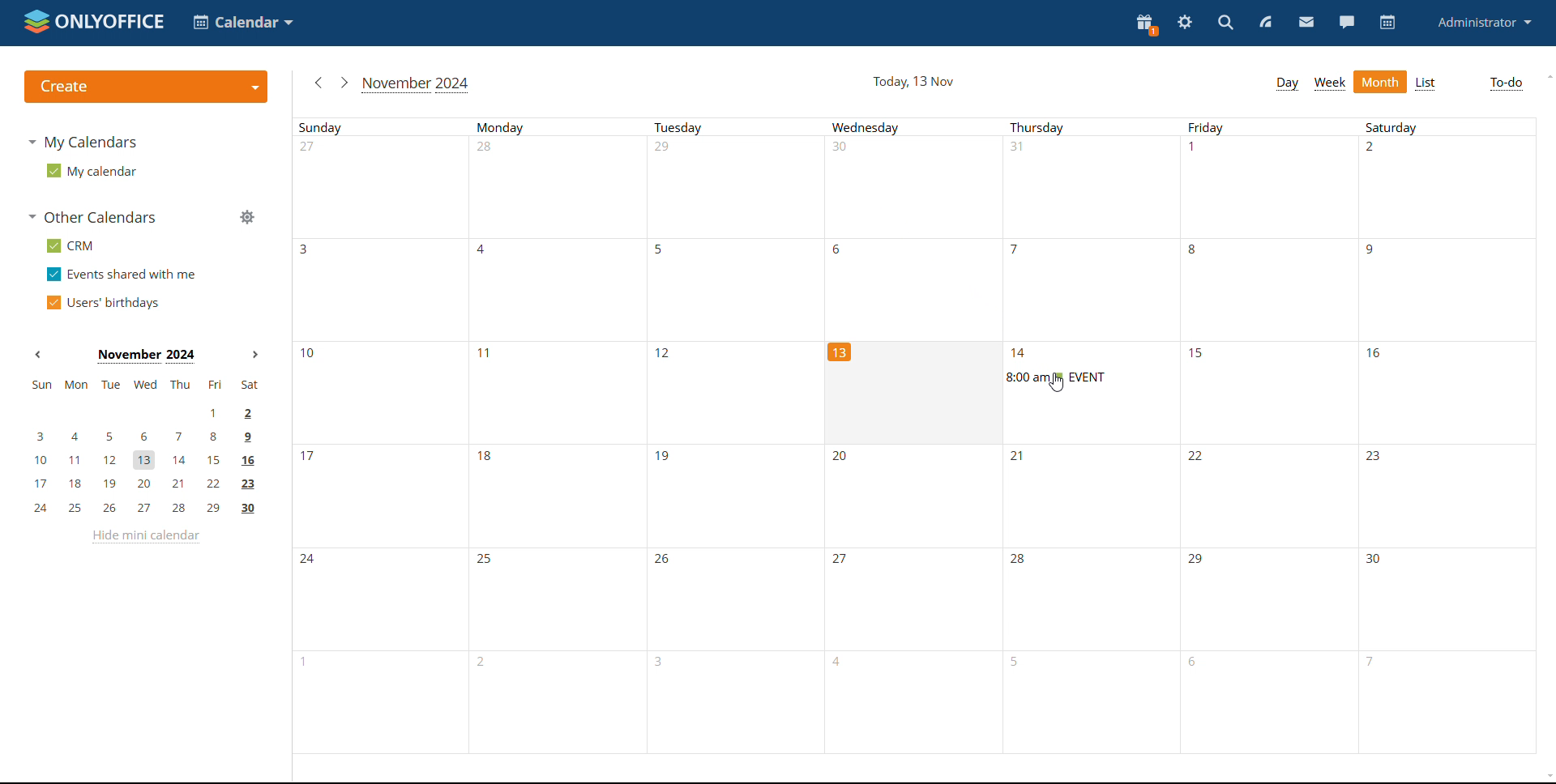 The image size is (1556, 784). What do you see at coordinates (1546, 776) in the screenshot?
I see `scroll down` at bounding box center [1546, 776].